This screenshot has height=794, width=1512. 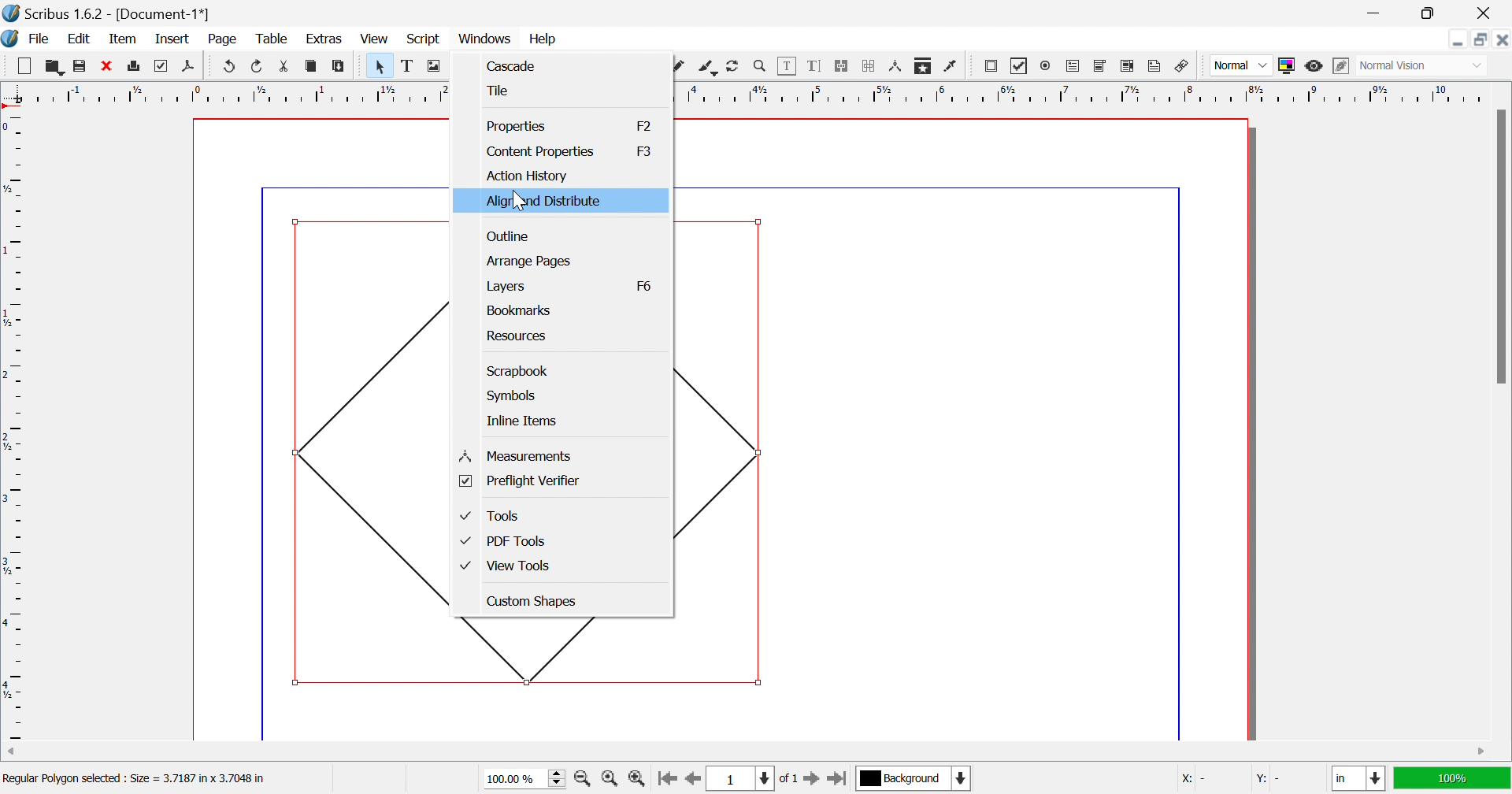 I want to click on Shape, so click(x=520, y=67).